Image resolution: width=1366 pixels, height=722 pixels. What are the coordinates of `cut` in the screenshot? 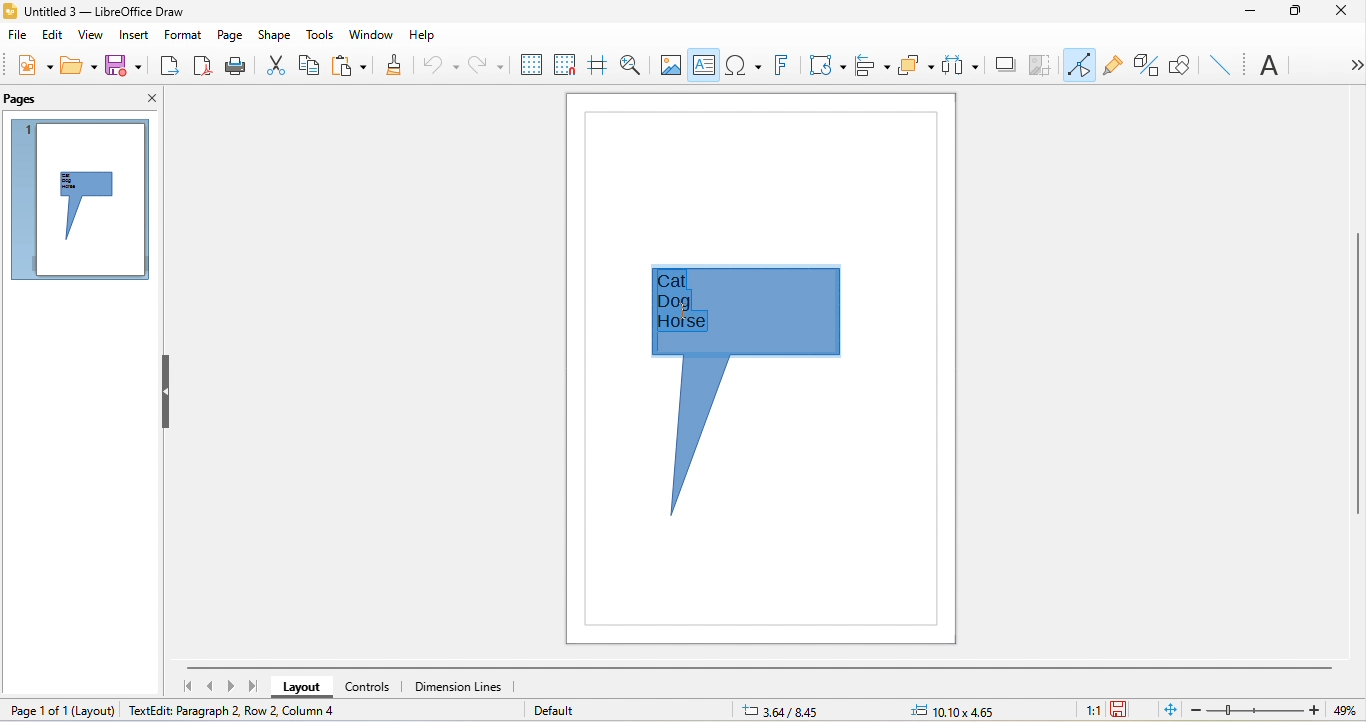 It's located at (274, 65).